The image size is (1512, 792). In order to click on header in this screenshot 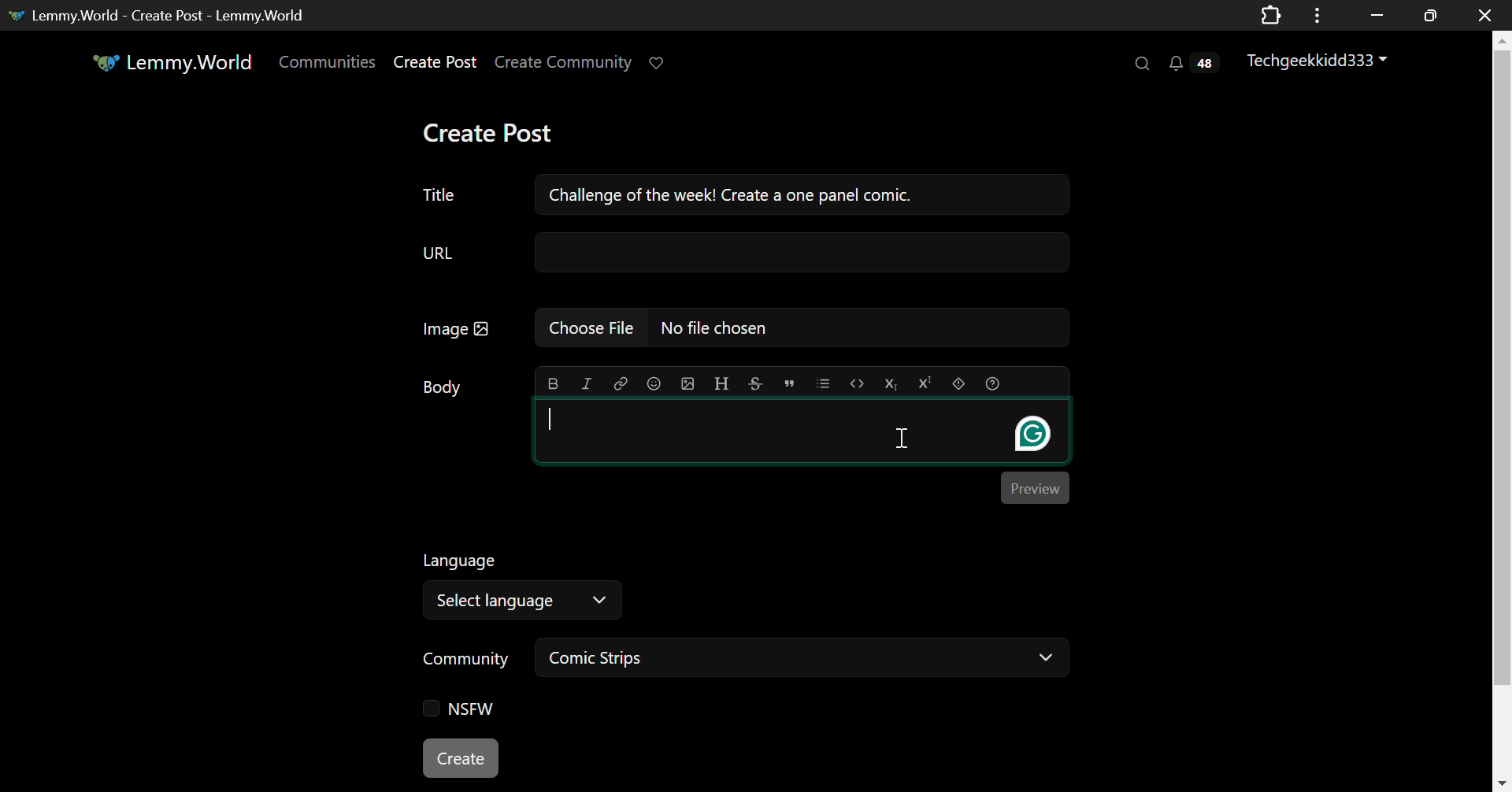, I will do `click(720, 384)`.